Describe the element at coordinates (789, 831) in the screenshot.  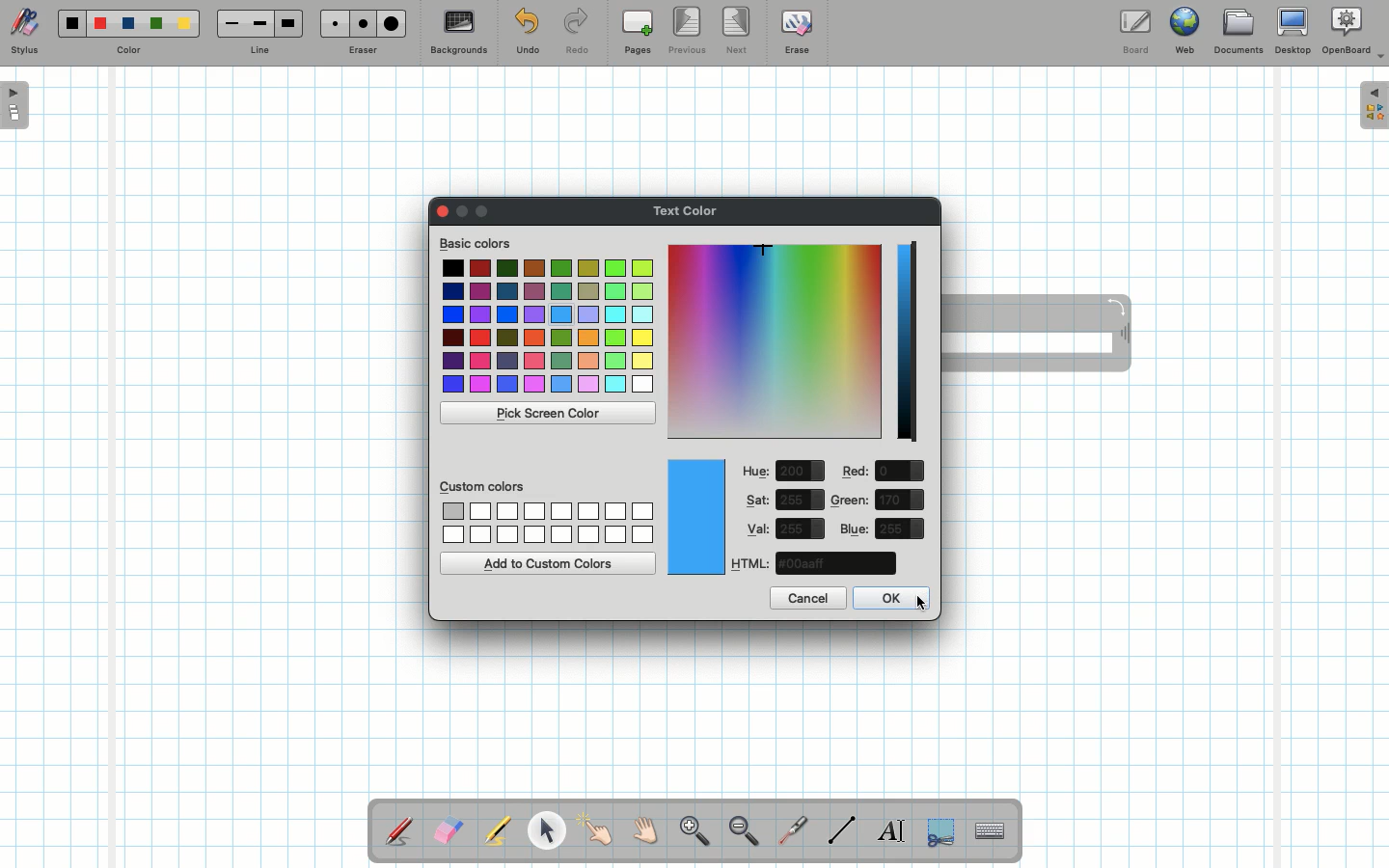
I see `Laser pointer` at that location.